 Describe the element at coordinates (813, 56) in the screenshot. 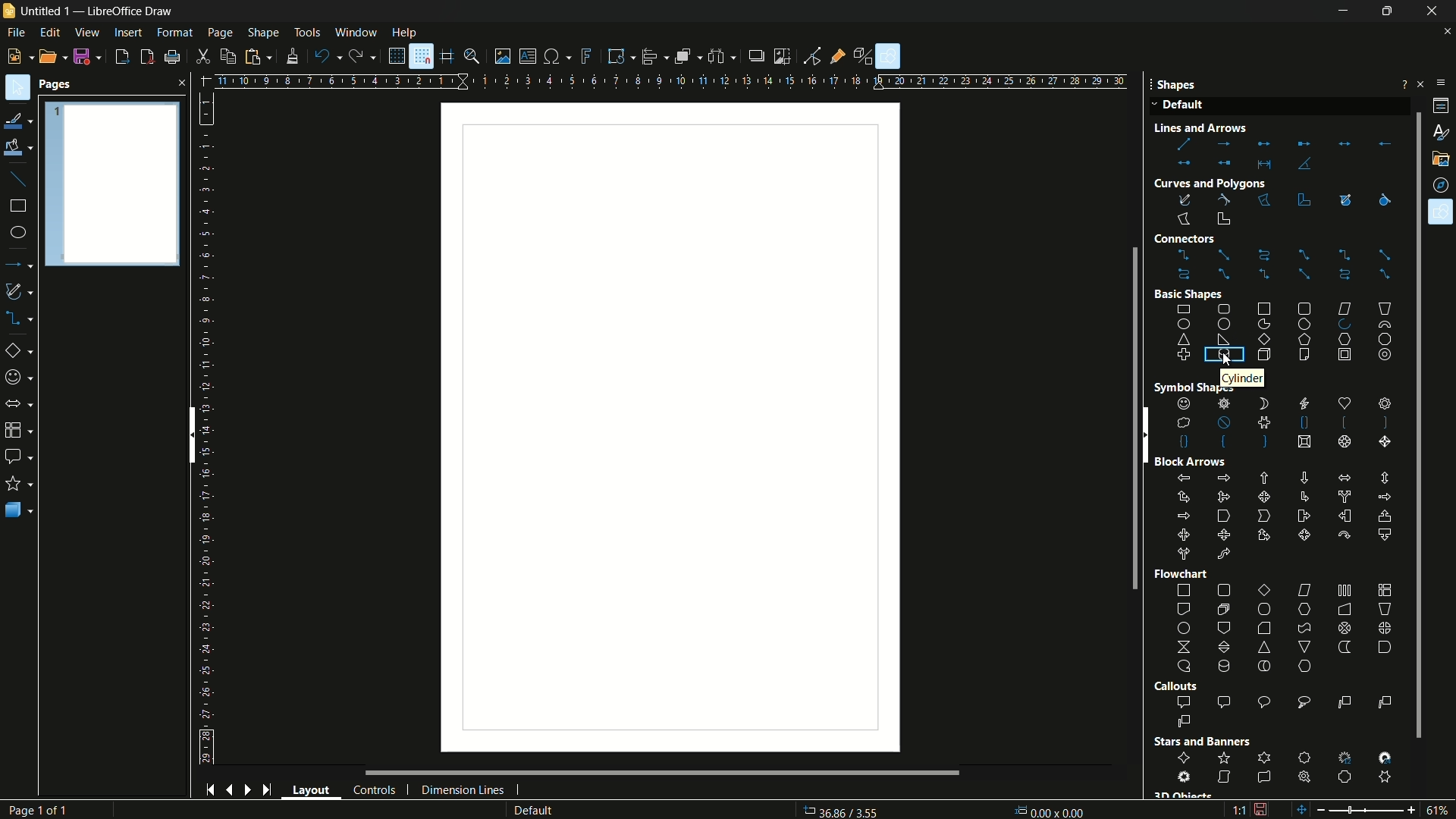

I see `toggle point edit mode` at that location.